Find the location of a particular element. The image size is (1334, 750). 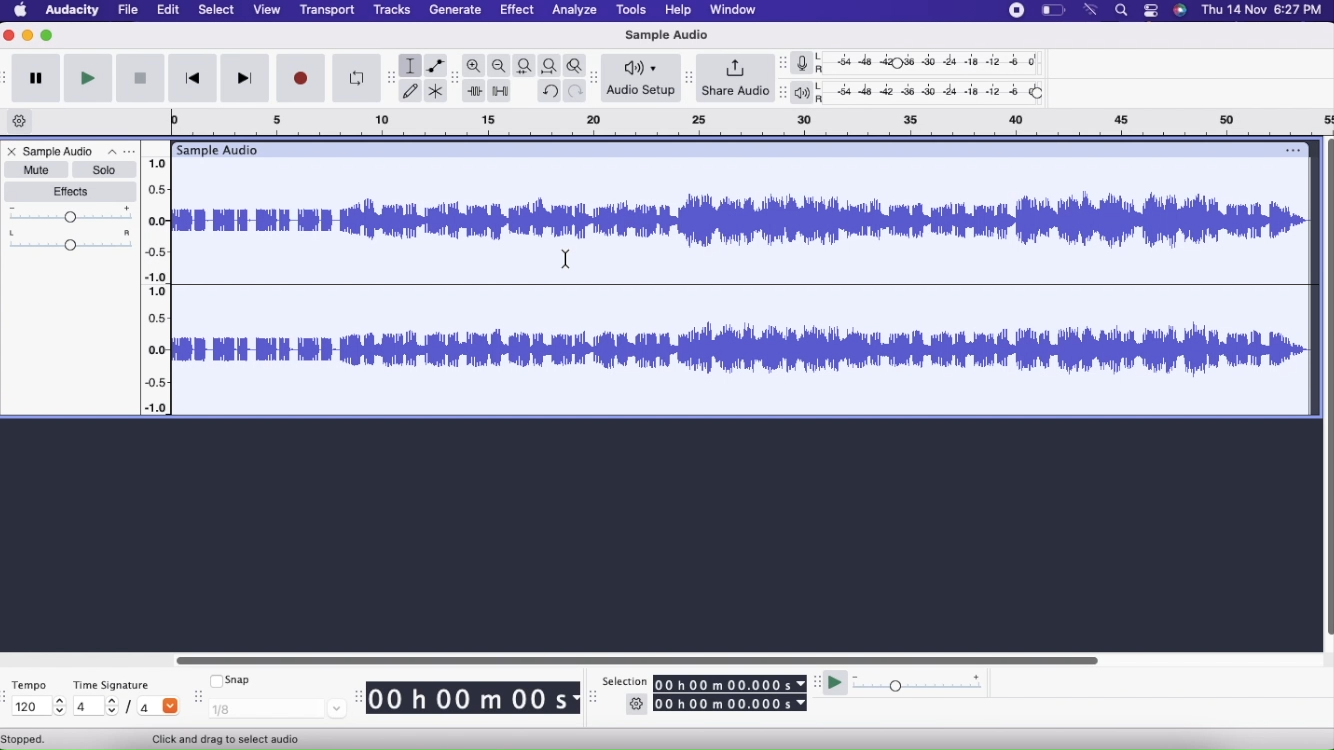

Skip to start is located at coordinates (193, 78).